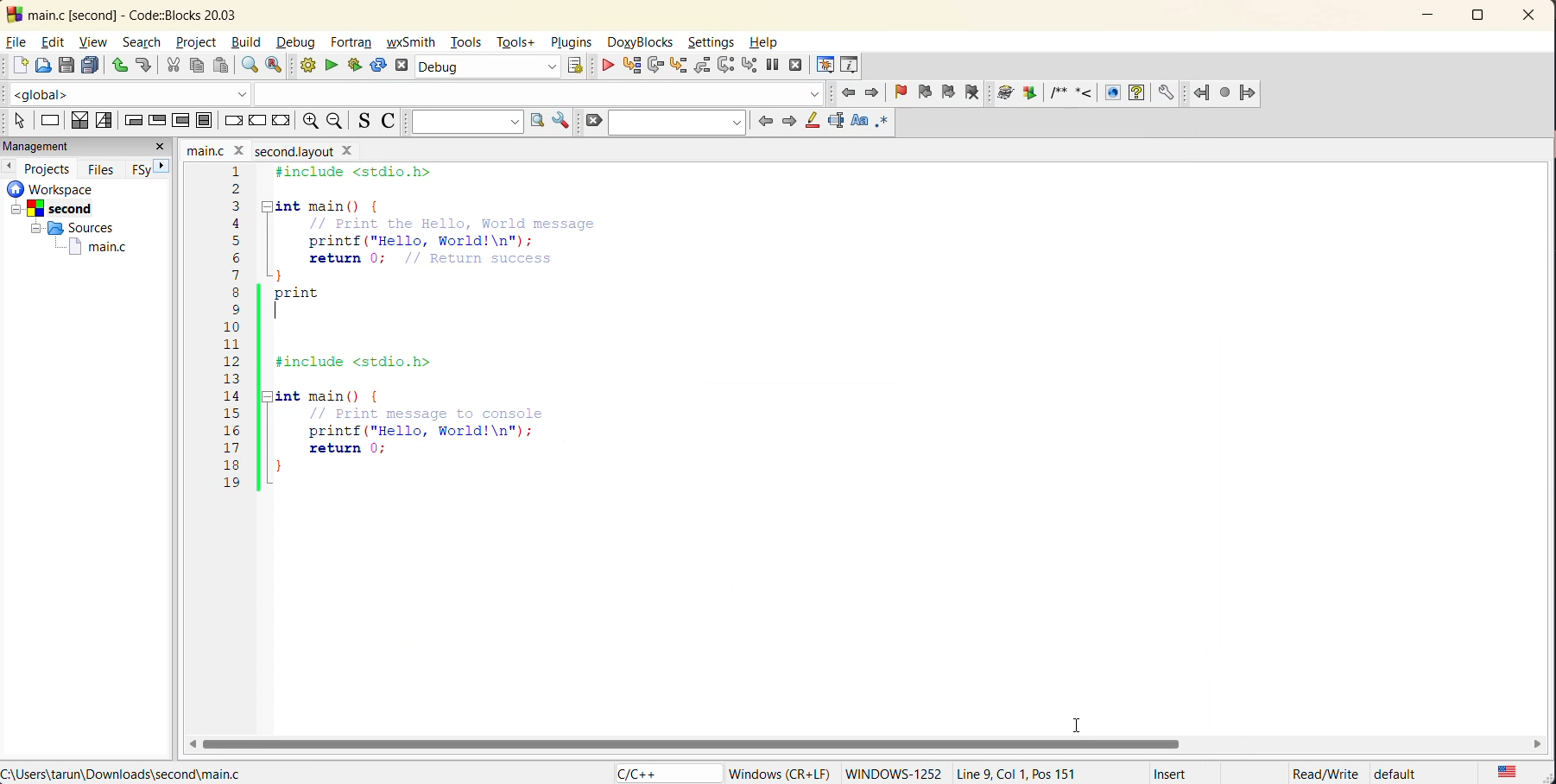  What do you see at coordinates (292, 151) in the screenshot?
I see `second.layout` at bounding box center [292, 151].